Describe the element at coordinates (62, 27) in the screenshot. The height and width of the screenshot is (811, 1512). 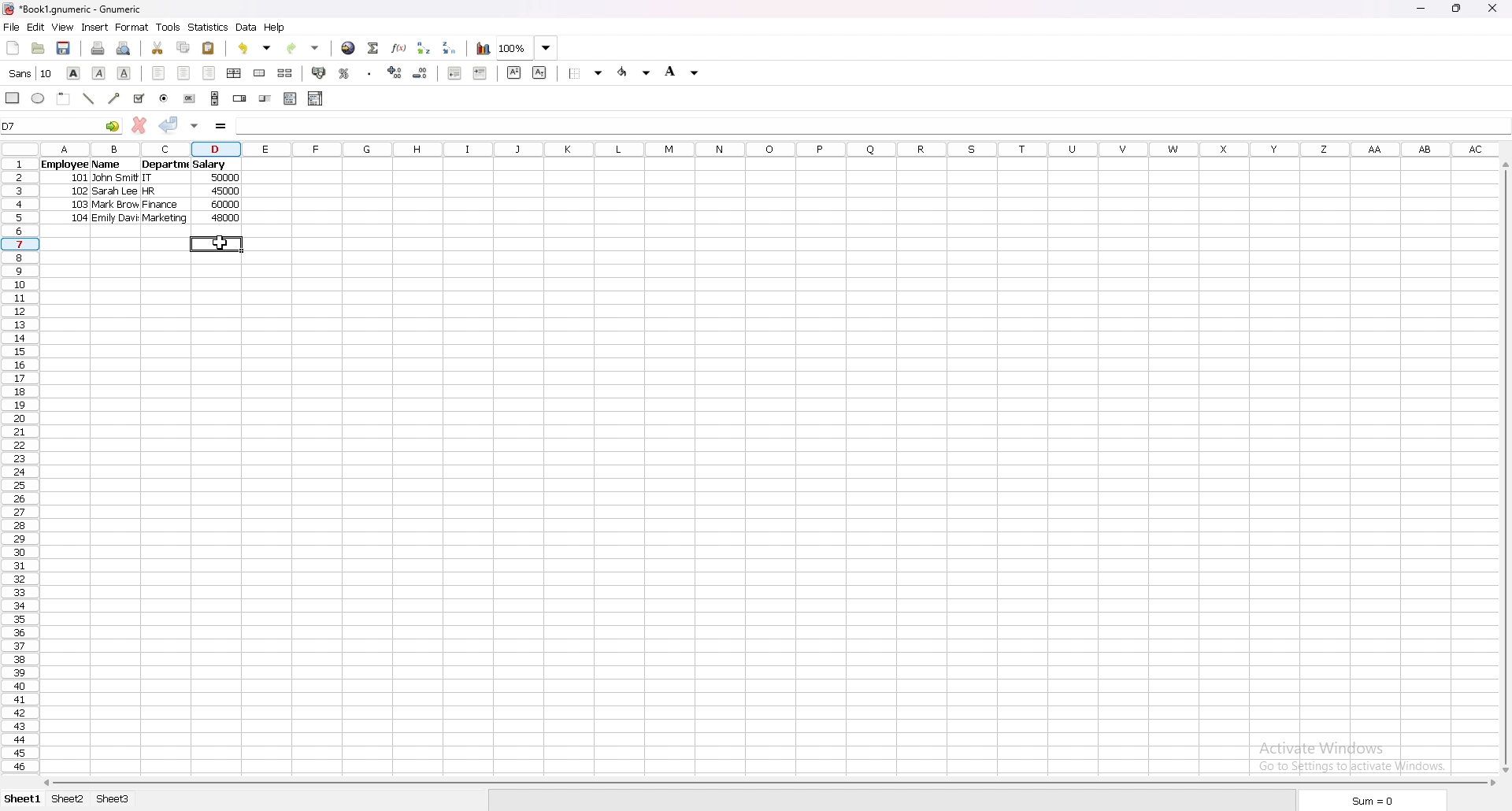
I see `view` at that location.